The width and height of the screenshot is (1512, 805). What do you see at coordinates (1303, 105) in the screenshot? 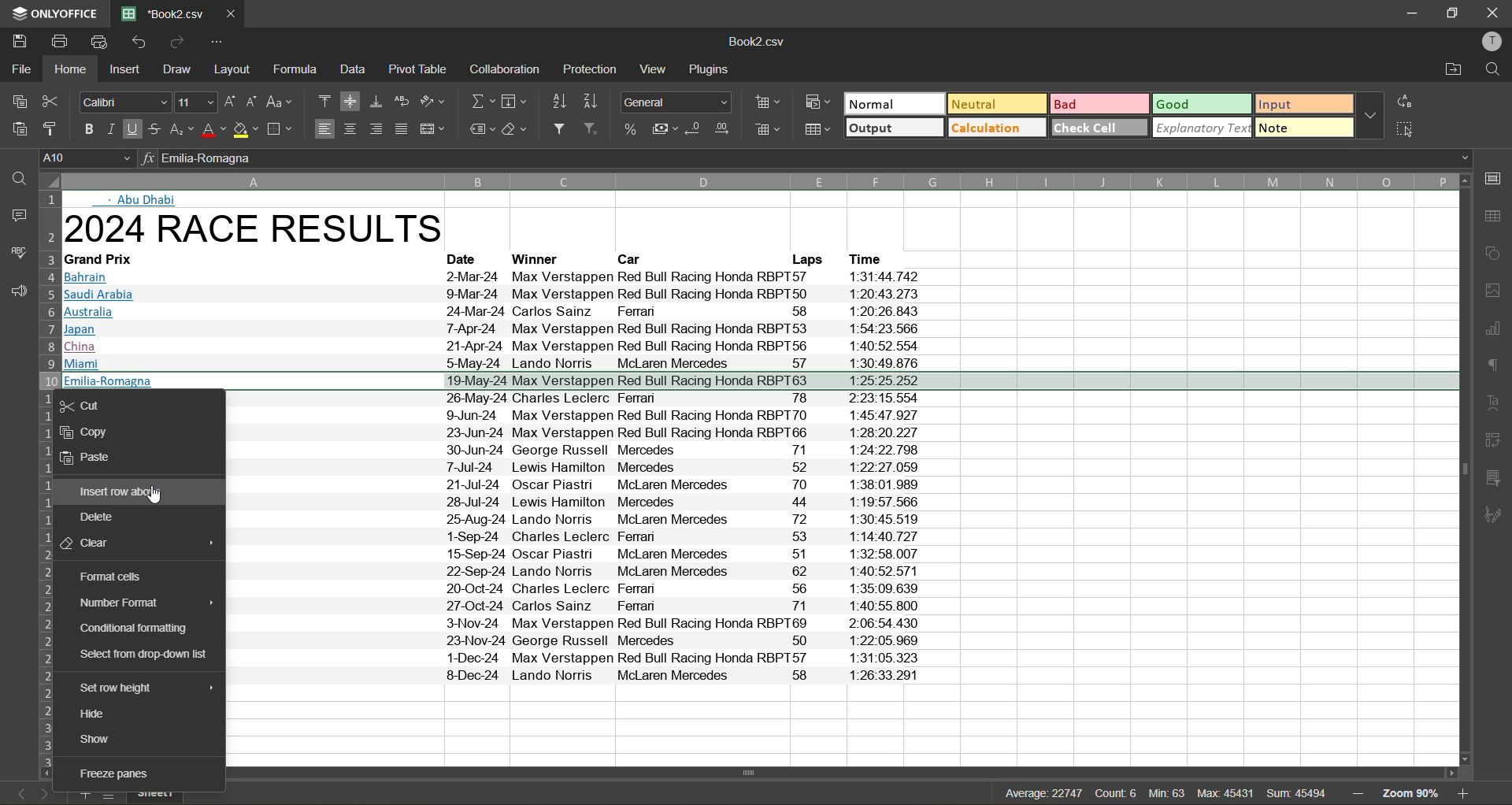
I see `input` at bounding box center [1303, 105].